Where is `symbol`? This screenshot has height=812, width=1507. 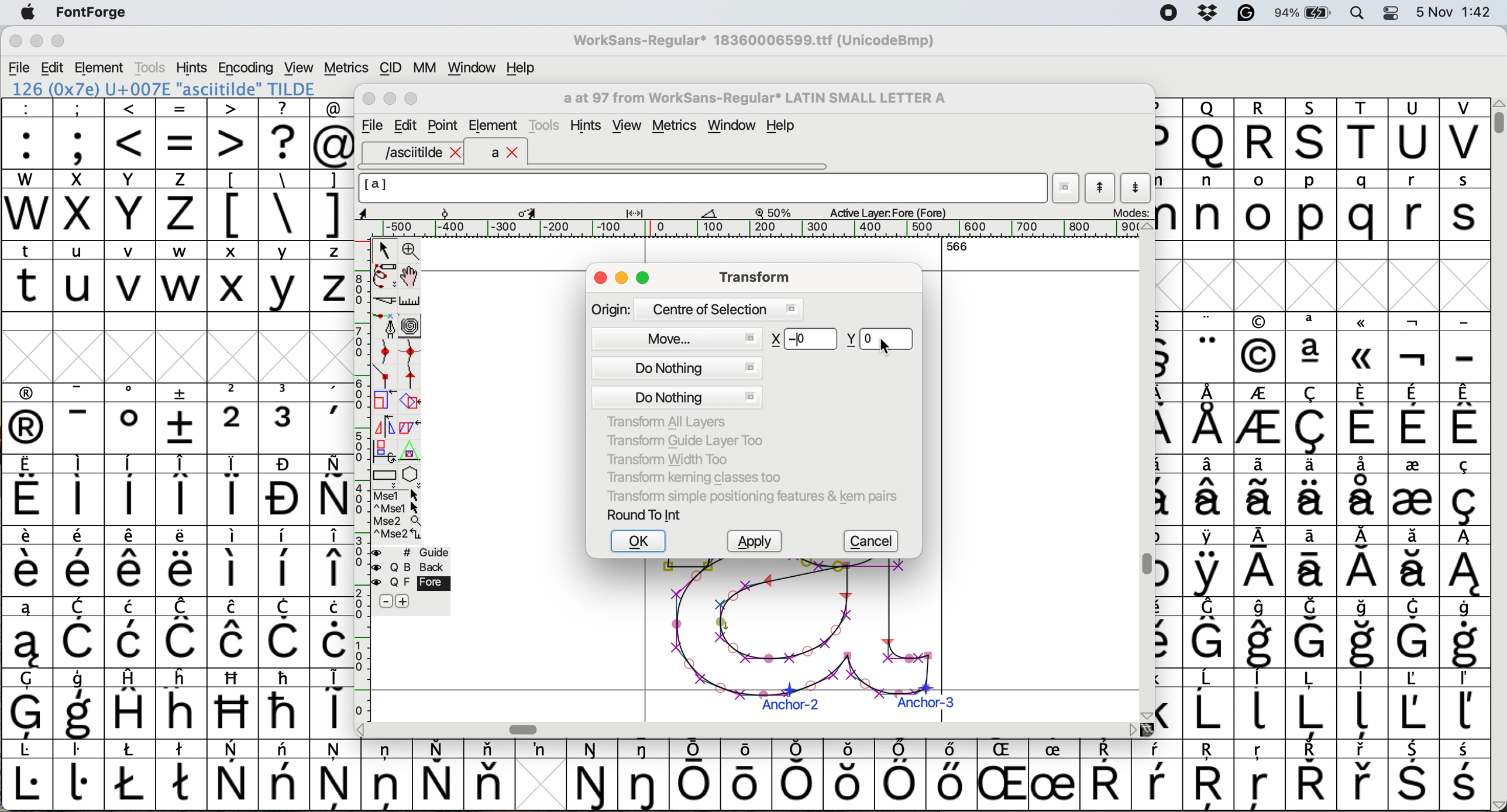 symbol is located at coordinates (1315, 489).